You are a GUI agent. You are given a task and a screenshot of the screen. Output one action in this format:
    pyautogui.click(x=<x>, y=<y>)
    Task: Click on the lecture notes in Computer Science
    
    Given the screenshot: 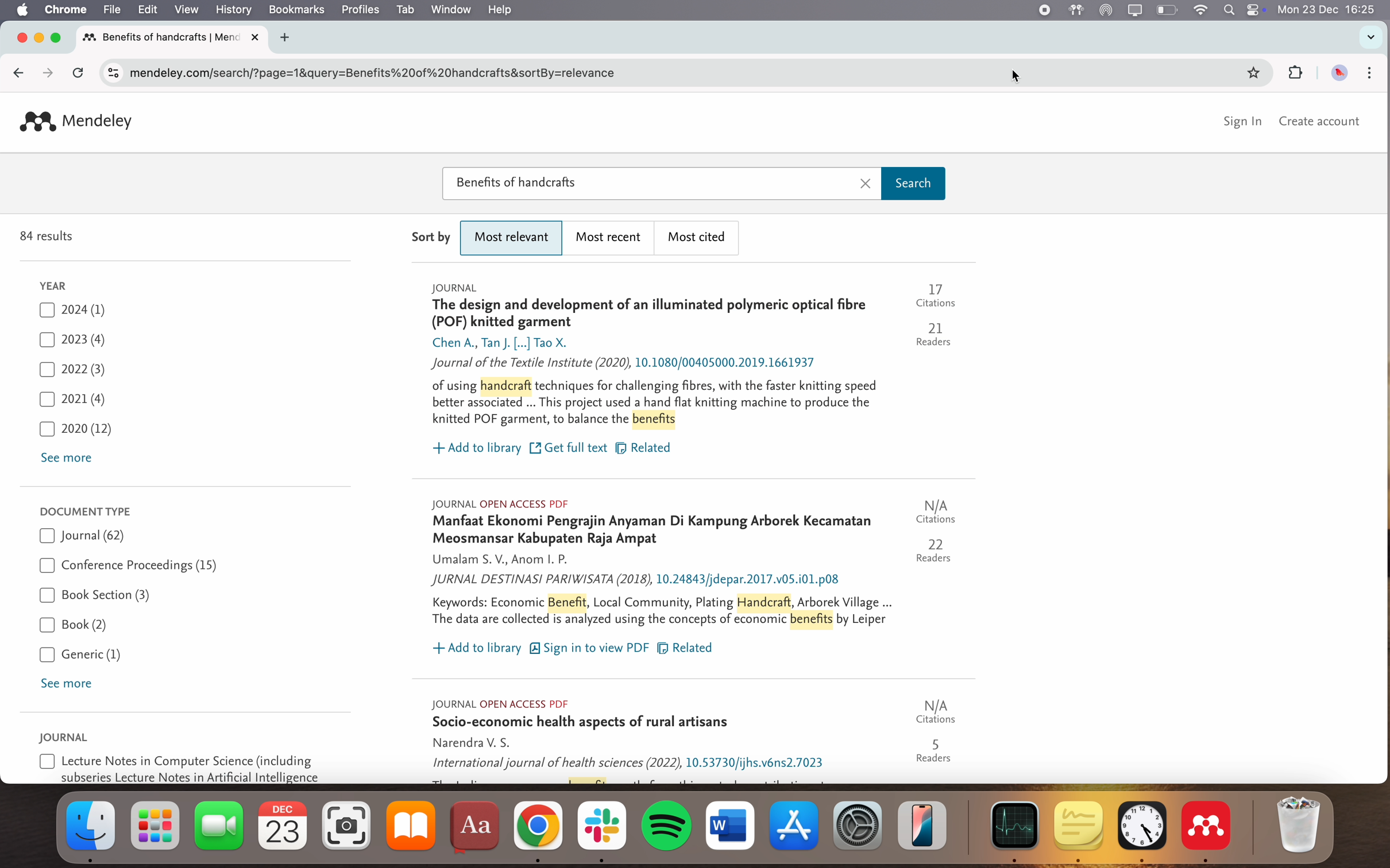 What is the action you would take?
    pyautogui.click(x=181, y=768)
    